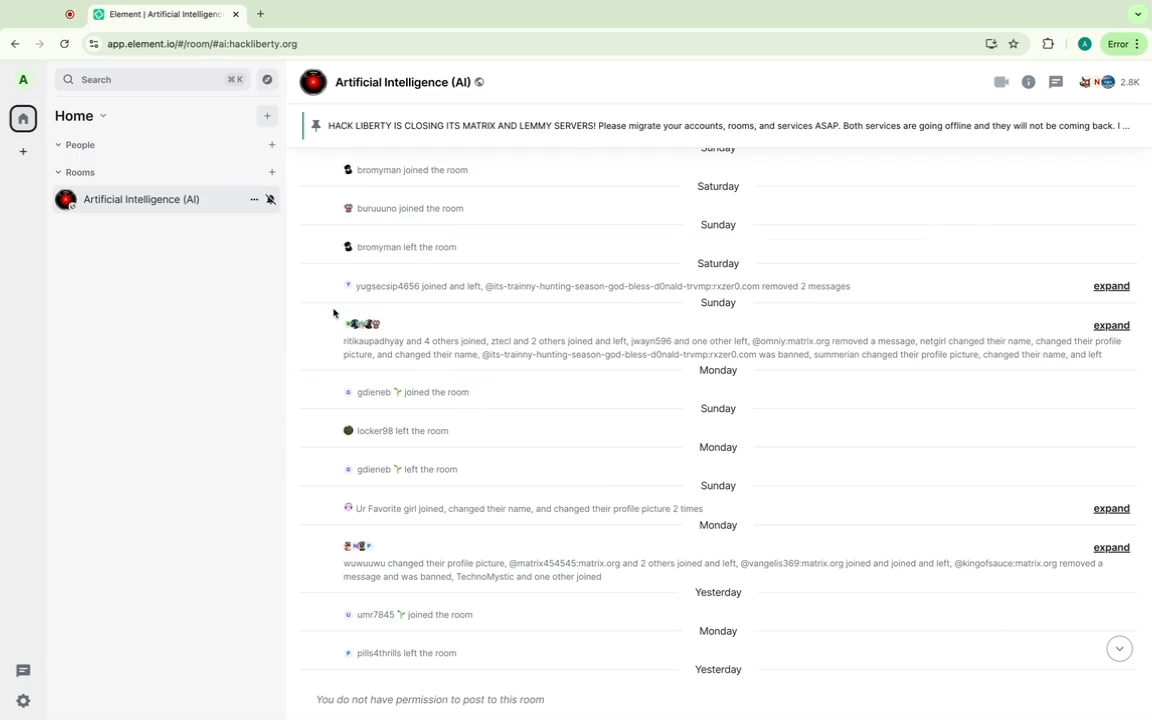 The width and height of the screenshot is (1152, 720). Describe the element at coordinates (333, 312) in the screenshot. I see `` at that location.